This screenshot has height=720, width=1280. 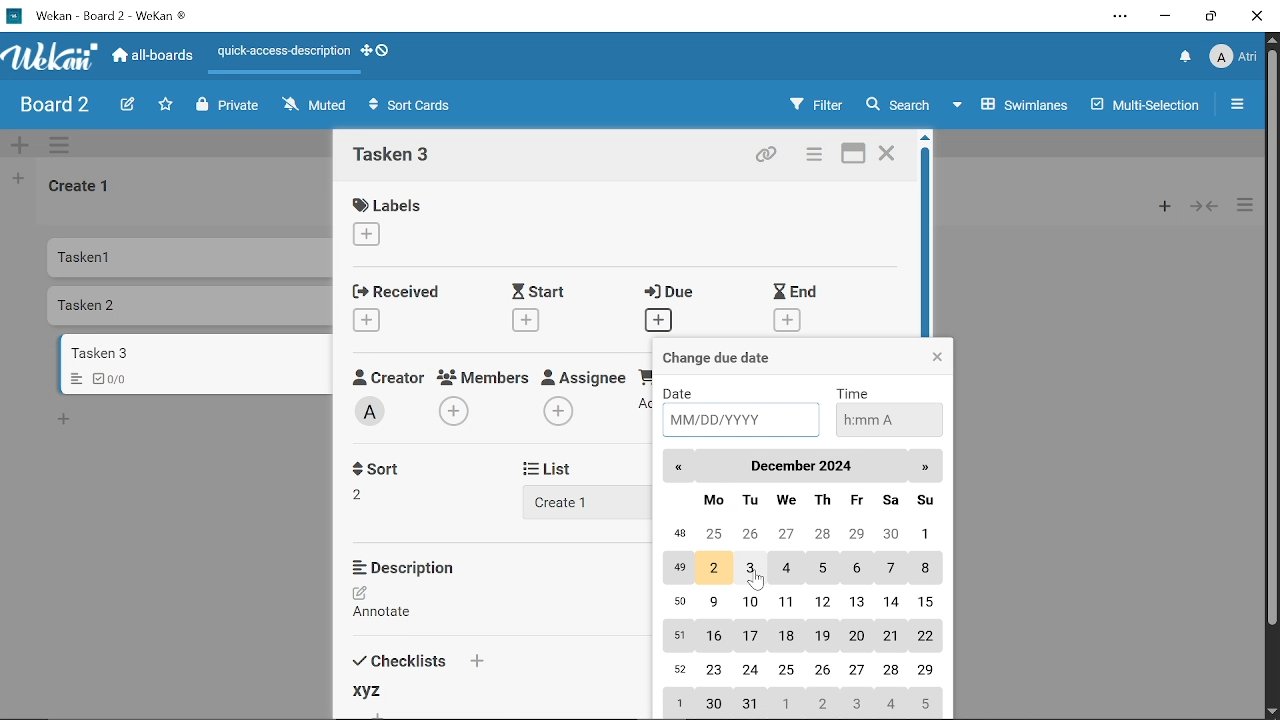 I want to click on Multi-Selecttion, so click(x=1140, y=105).